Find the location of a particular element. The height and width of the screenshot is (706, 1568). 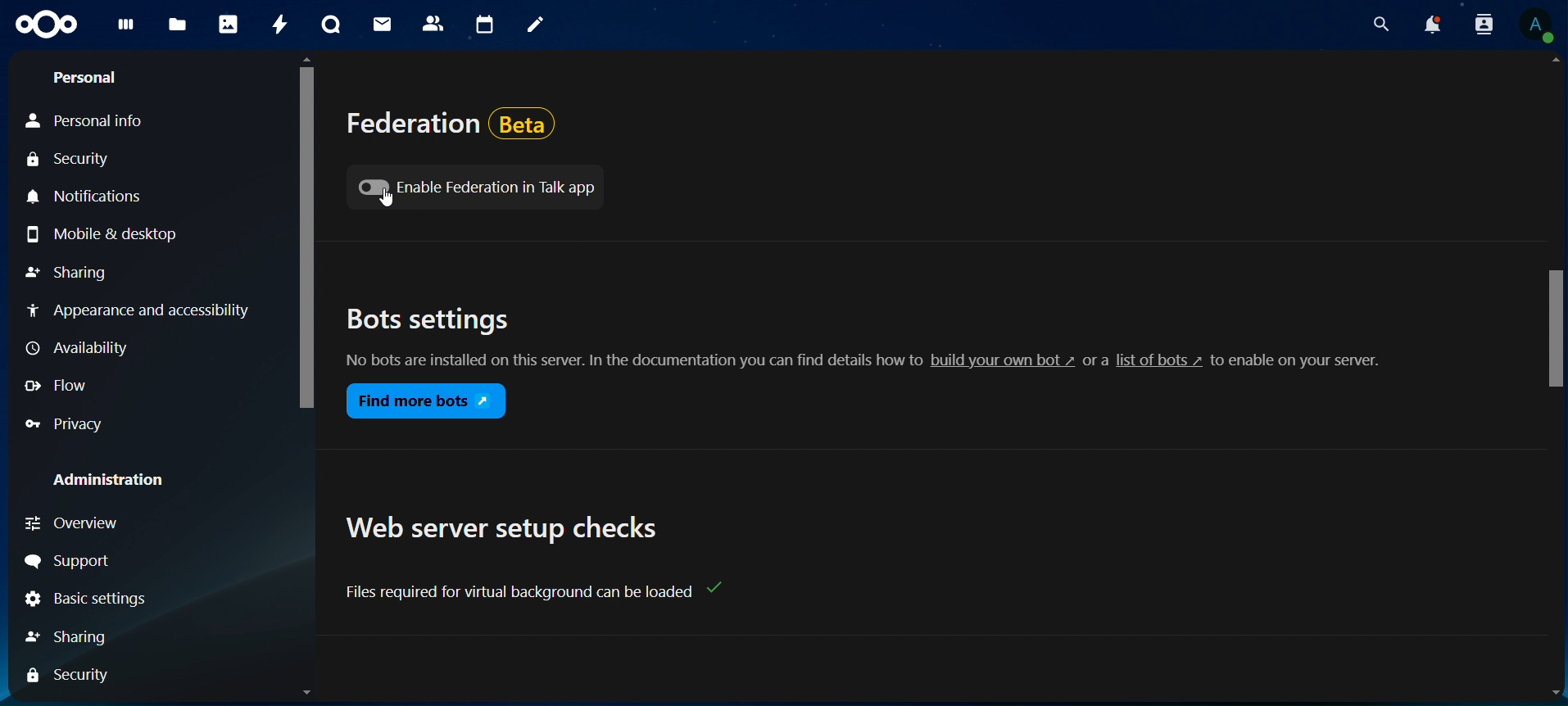

Sharing is located at coordinates (71, 638).